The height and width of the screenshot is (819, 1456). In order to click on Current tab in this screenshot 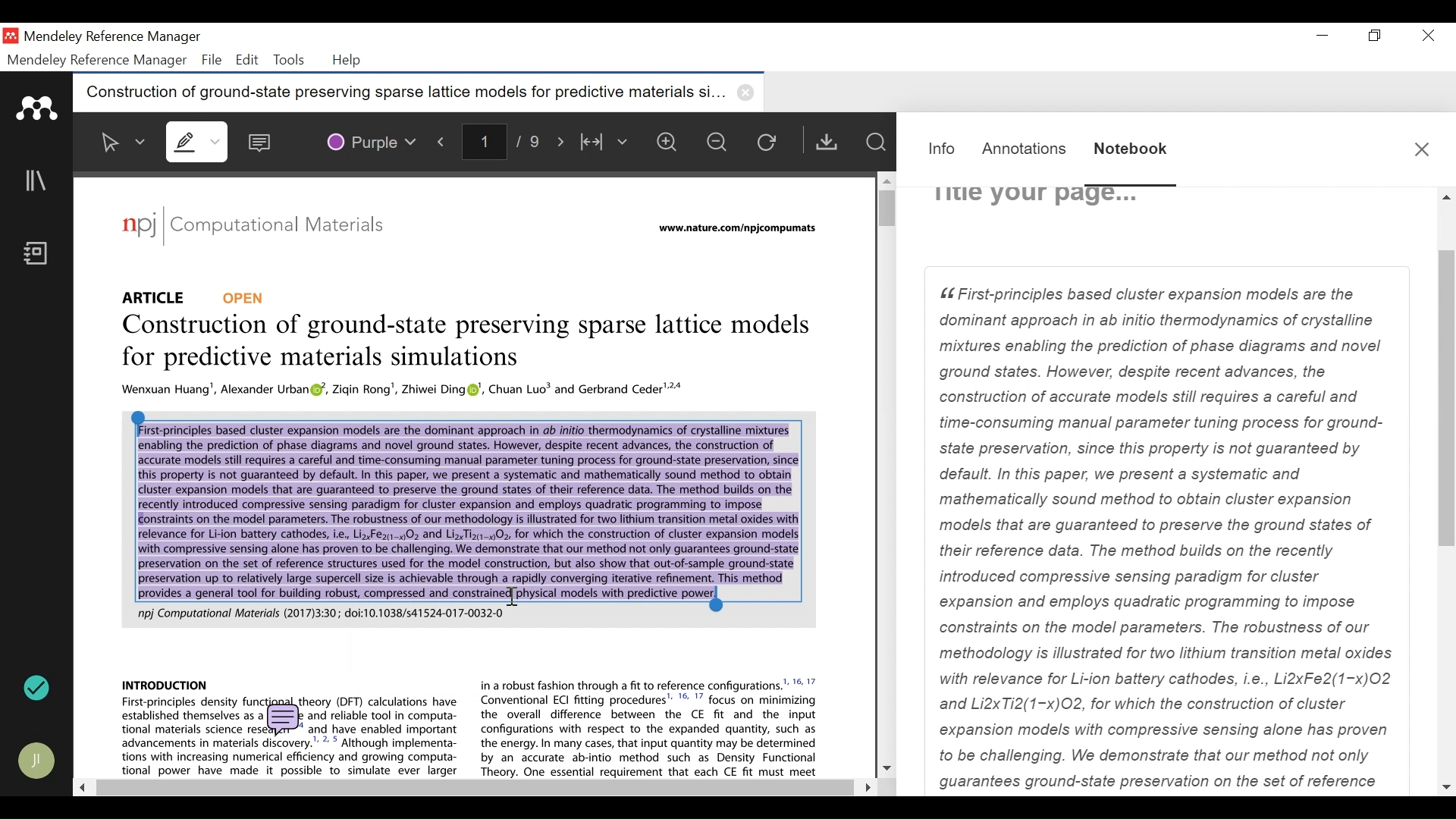, I will do `click(401, 93)`.